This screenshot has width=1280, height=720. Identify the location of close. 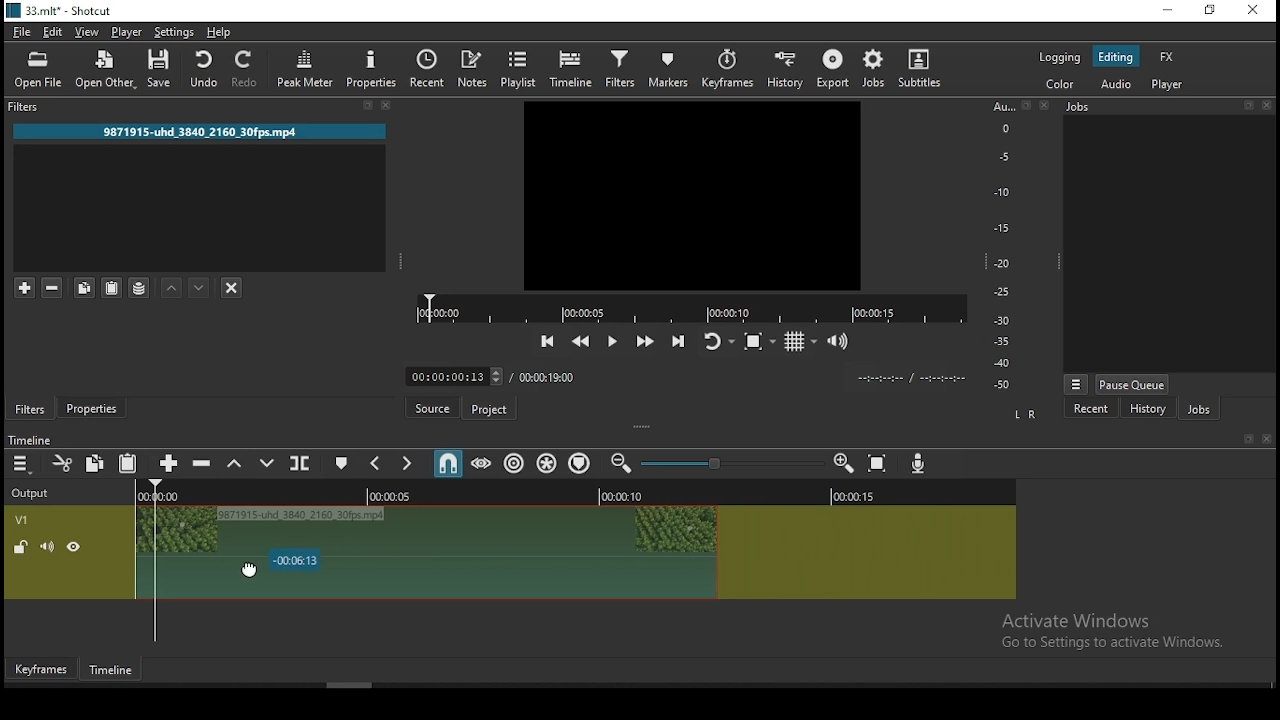
(1044, 107).